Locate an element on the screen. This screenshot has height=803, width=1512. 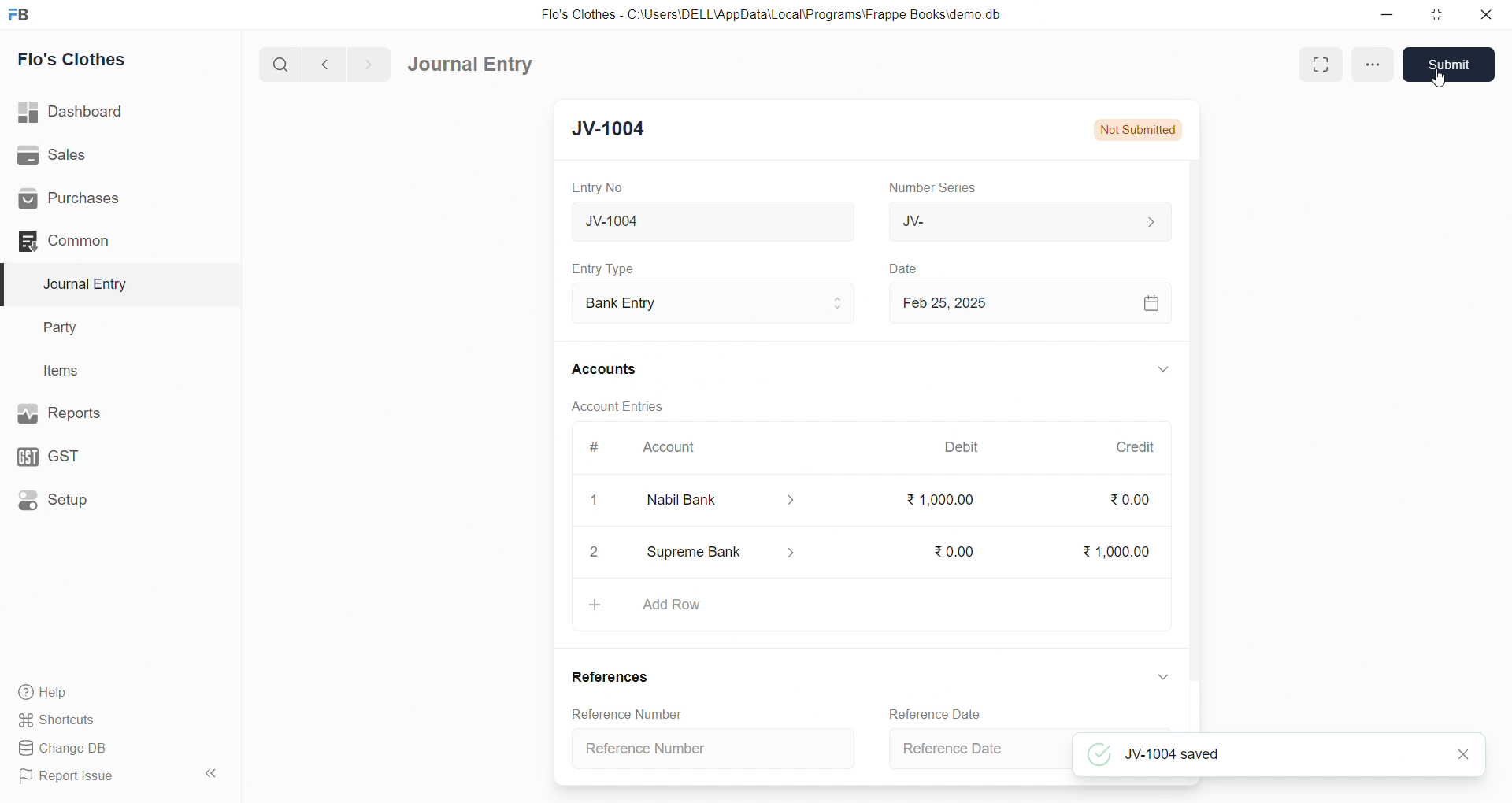
Dashboard is located at coordinates (116, 112).